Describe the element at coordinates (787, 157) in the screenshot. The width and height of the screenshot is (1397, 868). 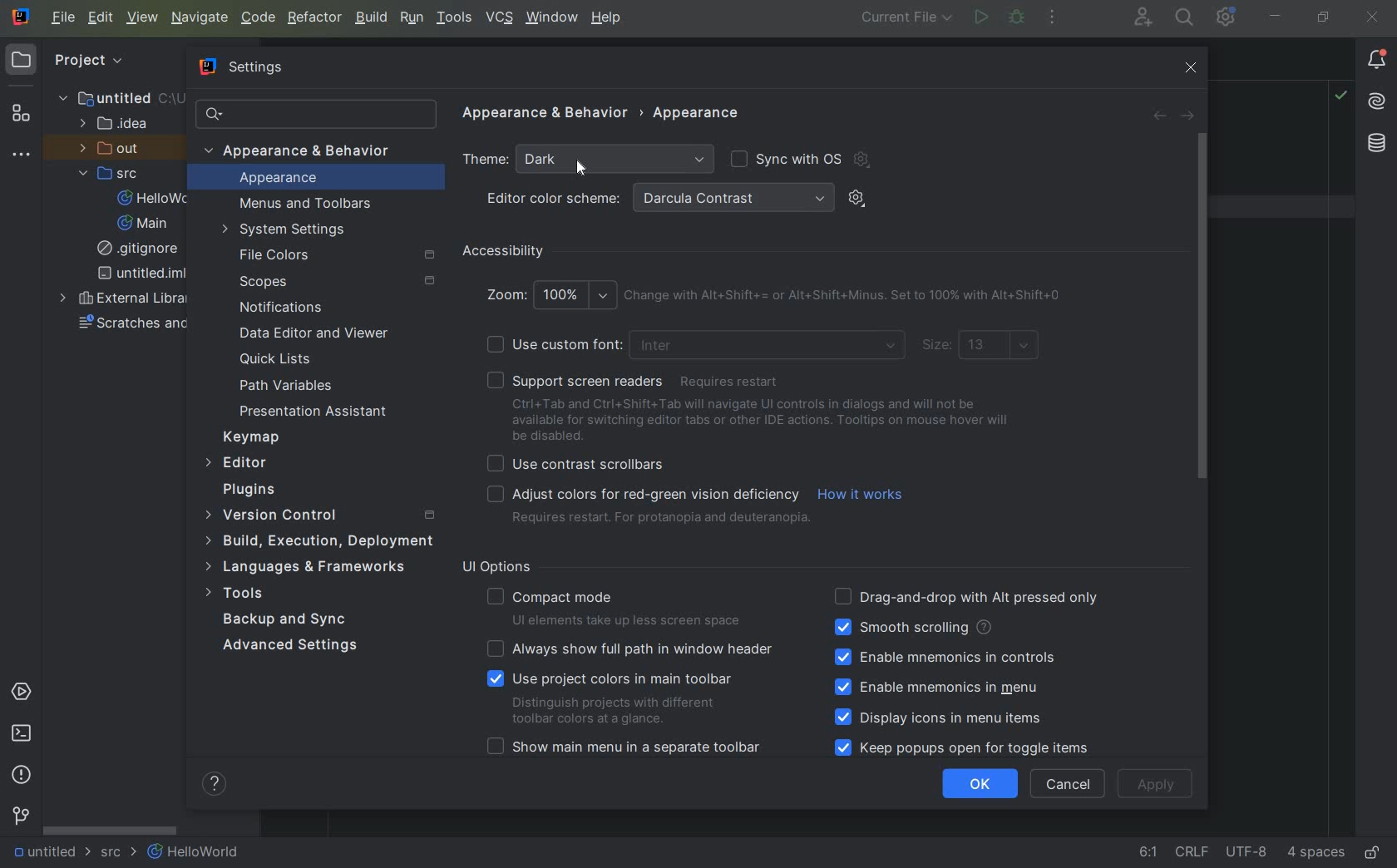
I see `SYNC WITH OS` at that location.